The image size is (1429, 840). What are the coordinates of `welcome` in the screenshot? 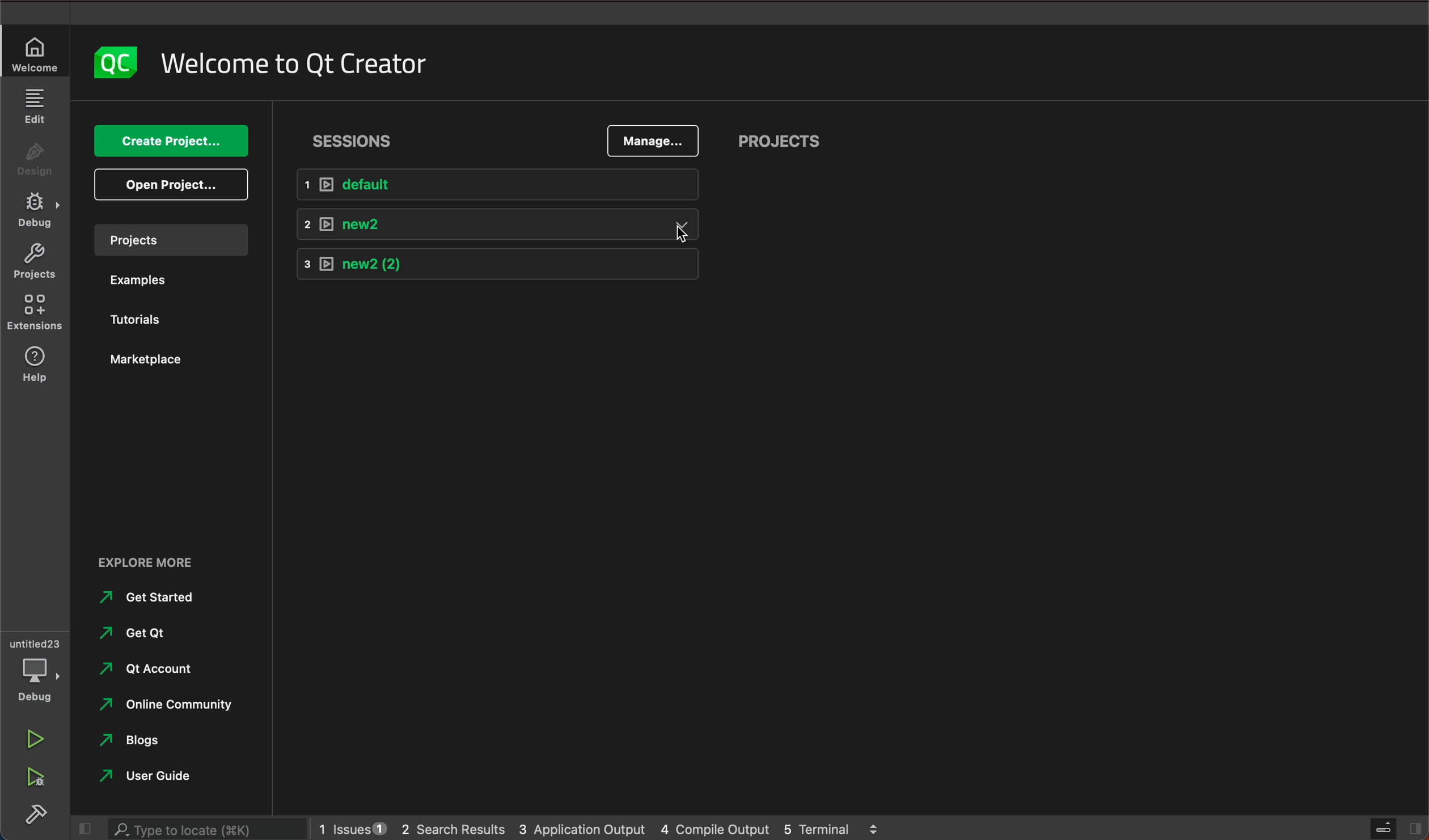 It's located at (36, 54).